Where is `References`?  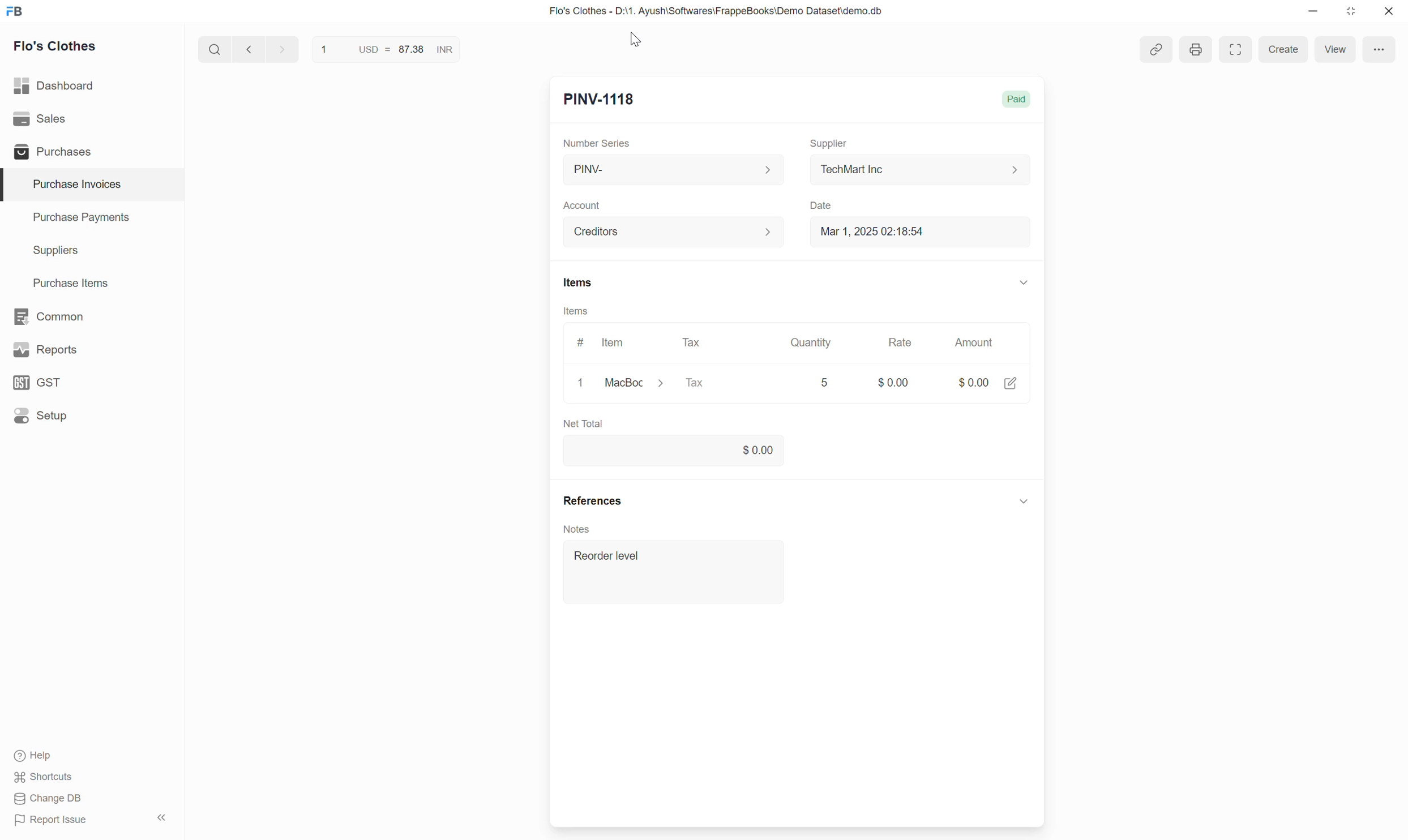 References is located at coordinates (593, 502).